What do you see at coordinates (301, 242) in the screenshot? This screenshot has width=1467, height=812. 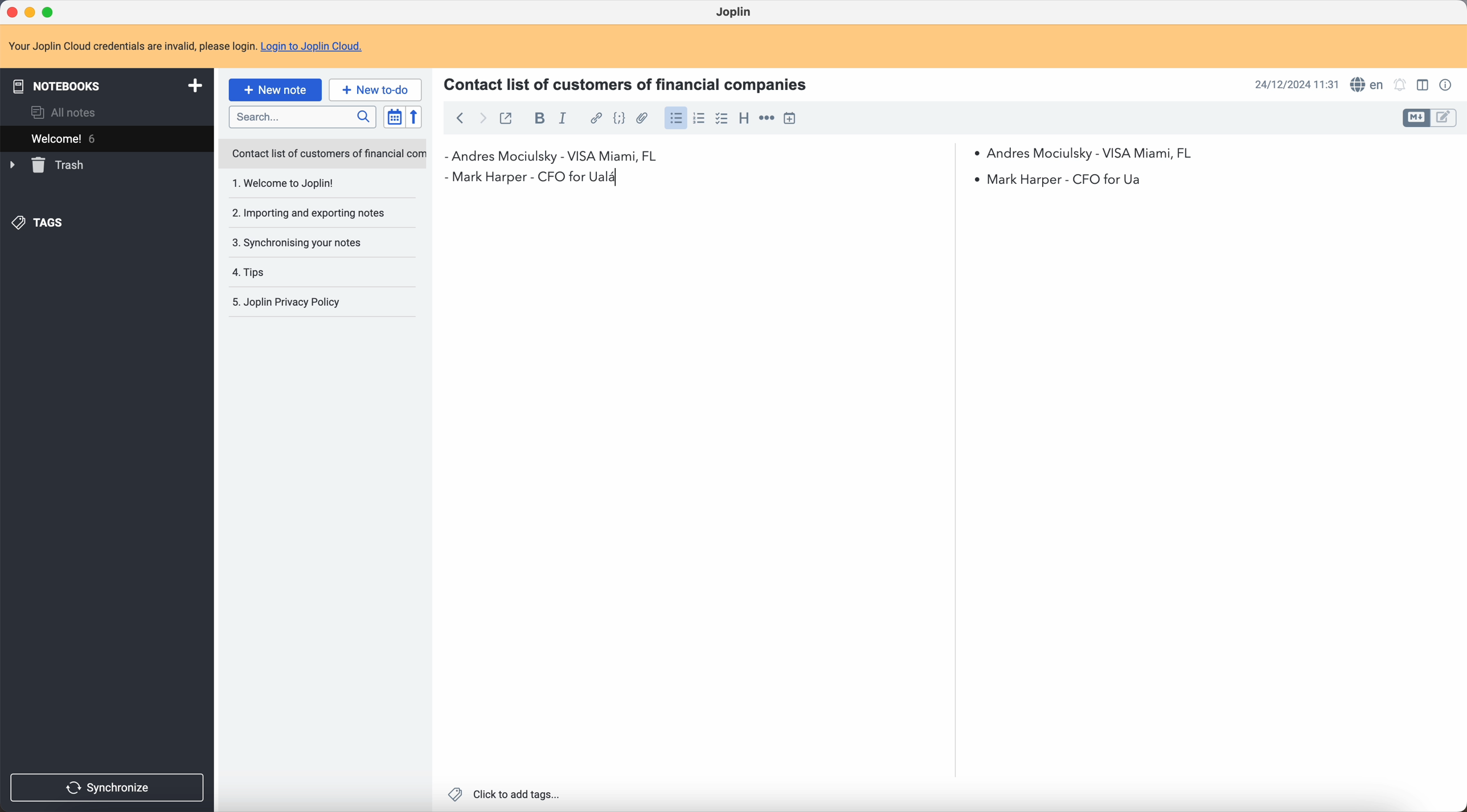 I see `3. Synchronising your notes` at bounding box center [301, 242].